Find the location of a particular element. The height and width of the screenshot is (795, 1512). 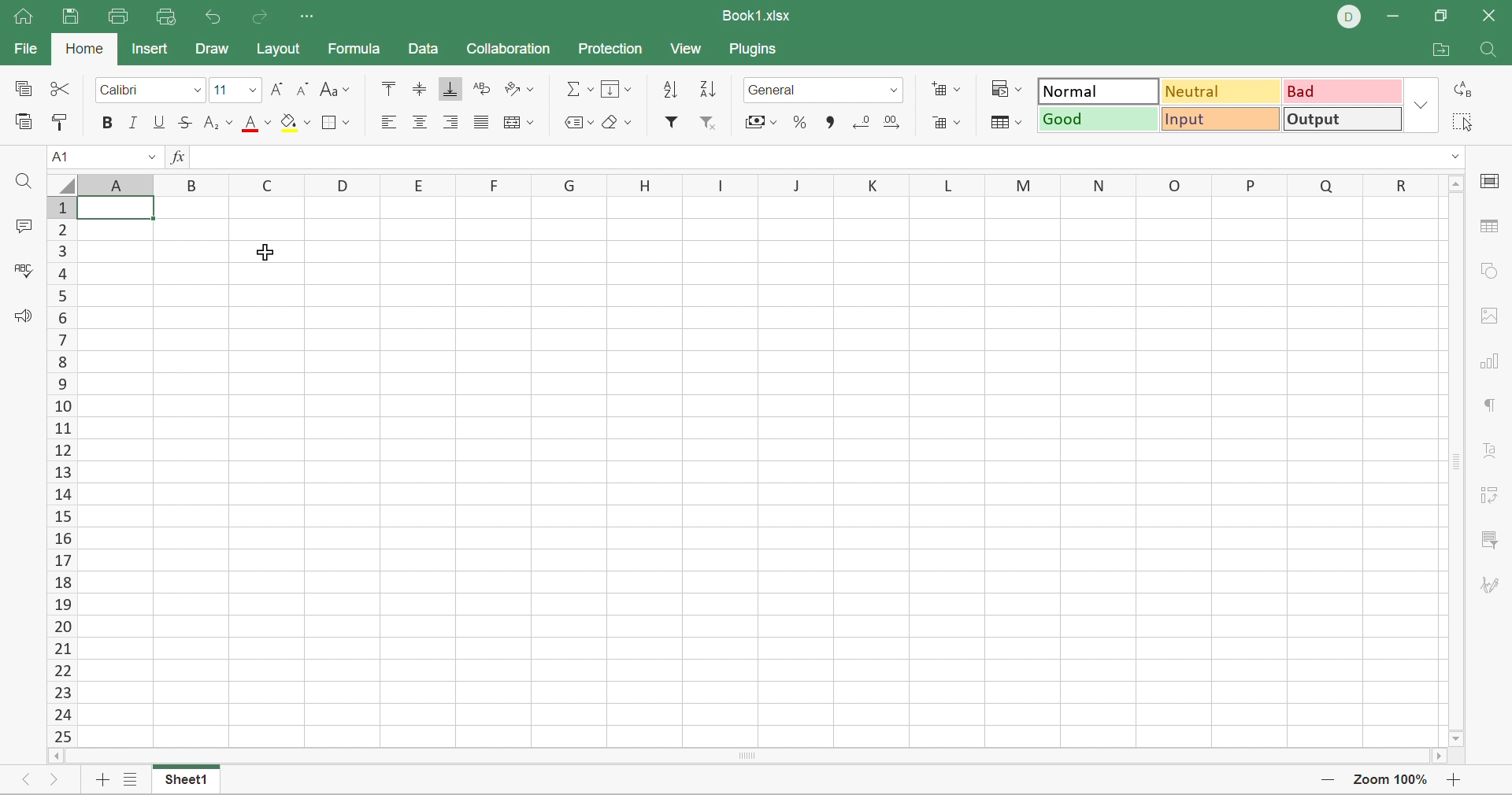

Plugins is located at coordinates (755, 54).